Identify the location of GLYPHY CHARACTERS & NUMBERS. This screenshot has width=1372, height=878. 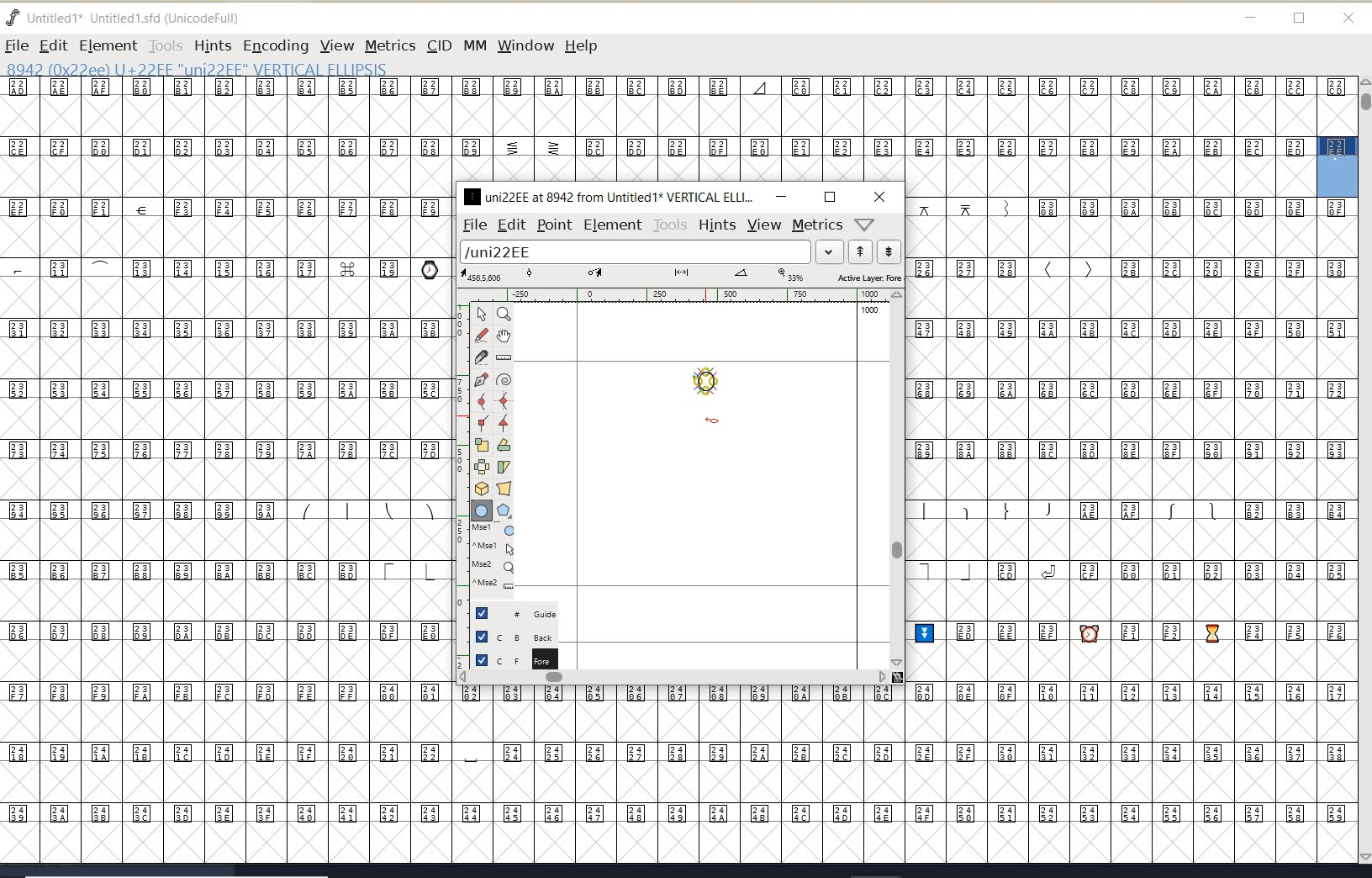
(455, 773).